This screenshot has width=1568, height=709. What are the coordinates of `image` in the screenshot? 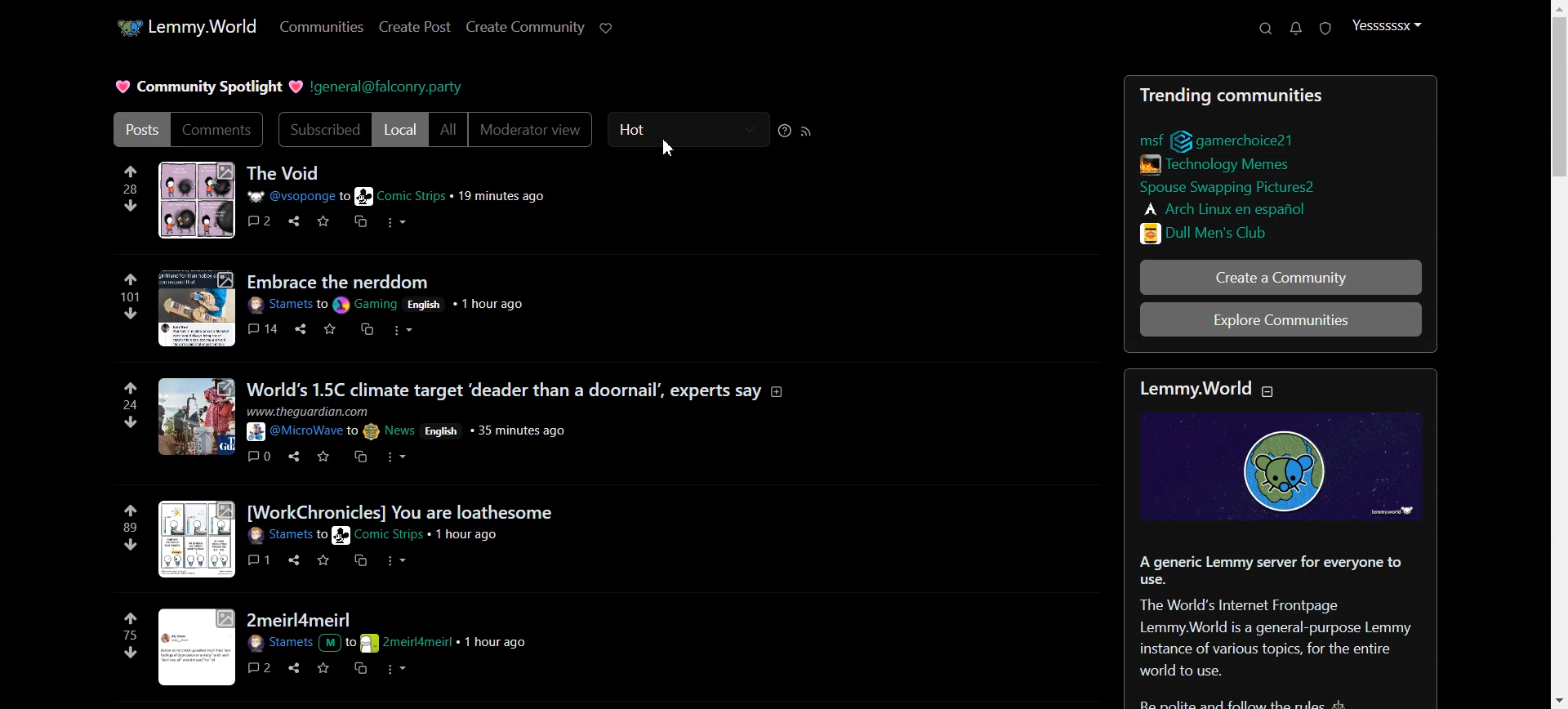 It's located at (197, 309).